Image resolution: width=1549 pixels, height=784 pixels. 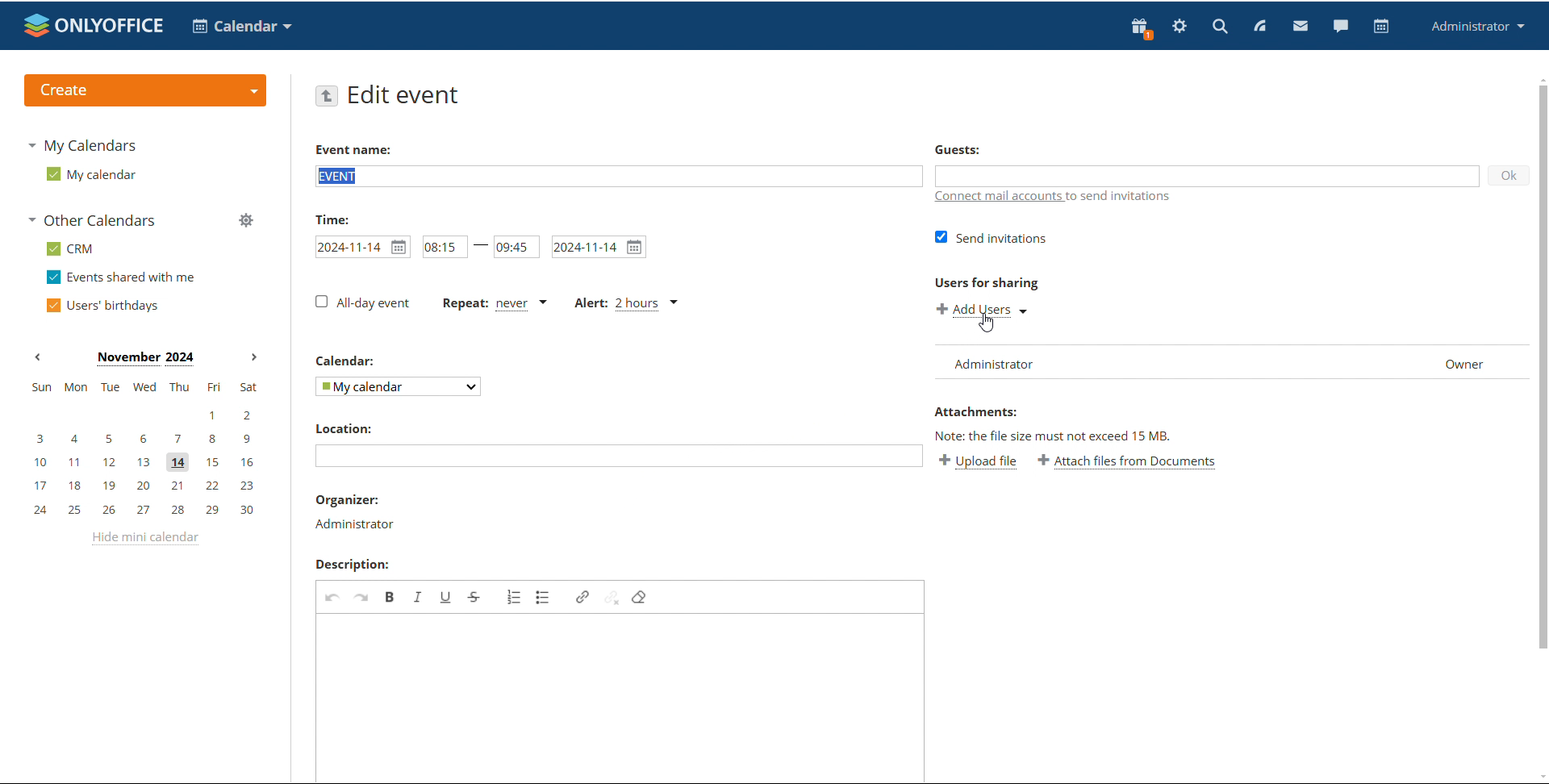 I want to click on add users, so click(x=983, y=311).